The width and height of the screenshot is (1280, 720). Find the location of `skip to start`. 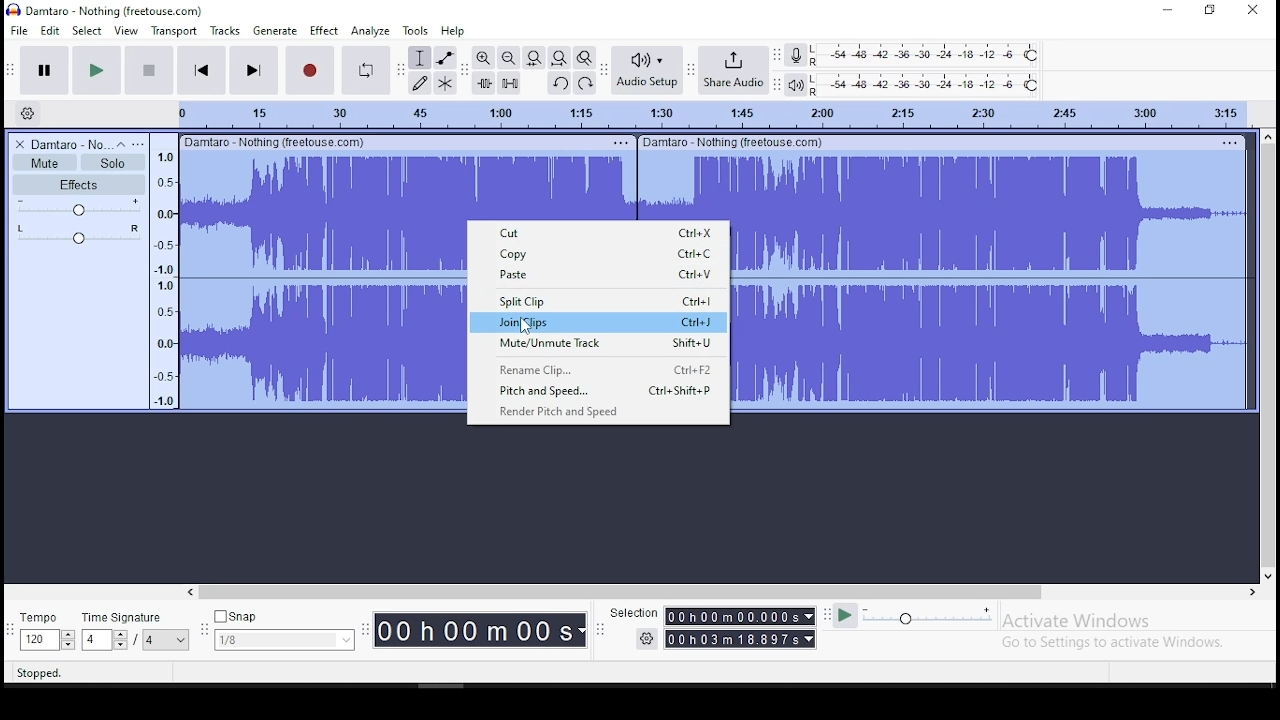

skip to start is located at coordinates (201, 69).